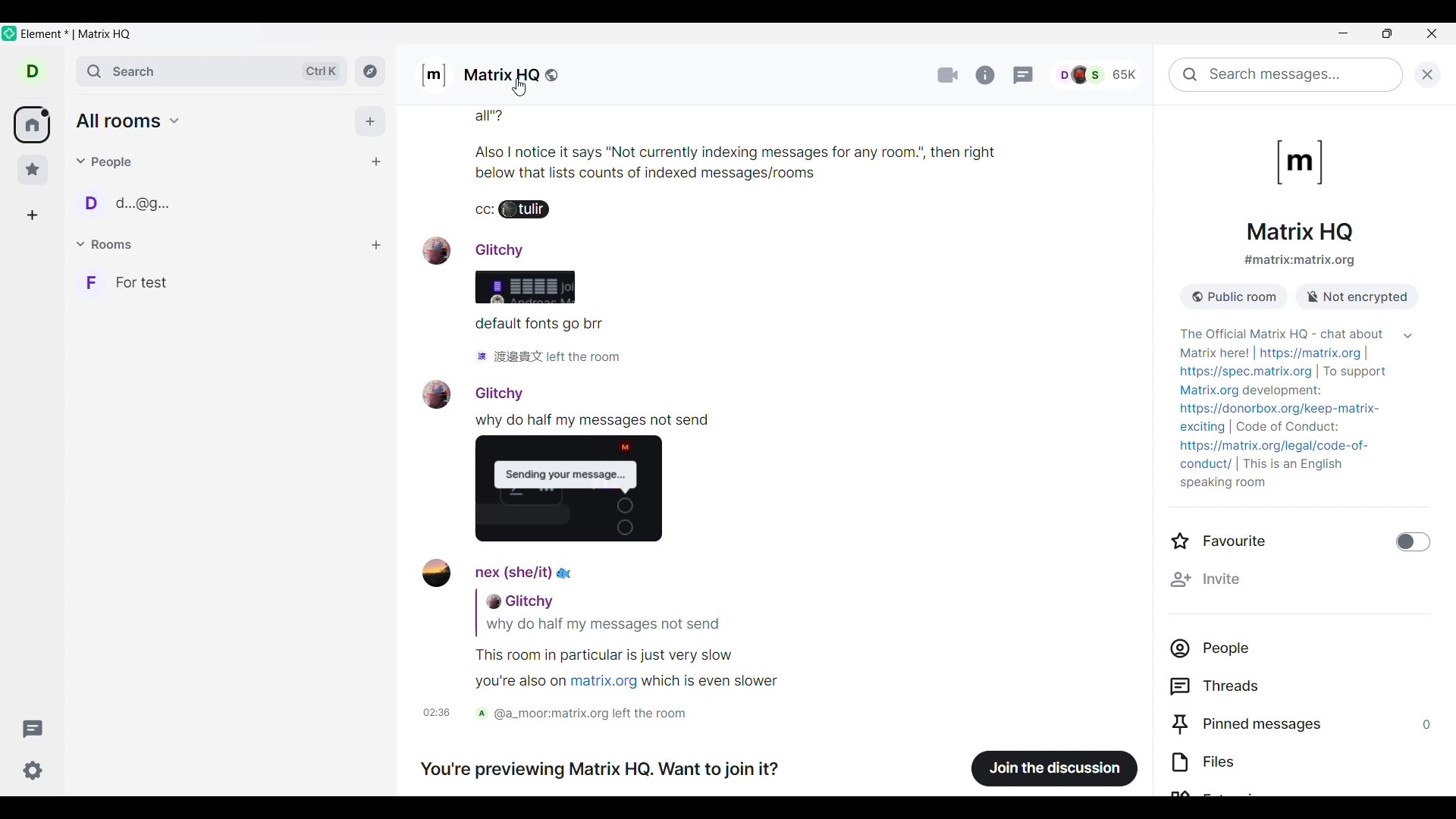 The image size is (1456, 819). Describe the element at coordinates (485, 249) in the screenshot. I see `glitchy` at that location.